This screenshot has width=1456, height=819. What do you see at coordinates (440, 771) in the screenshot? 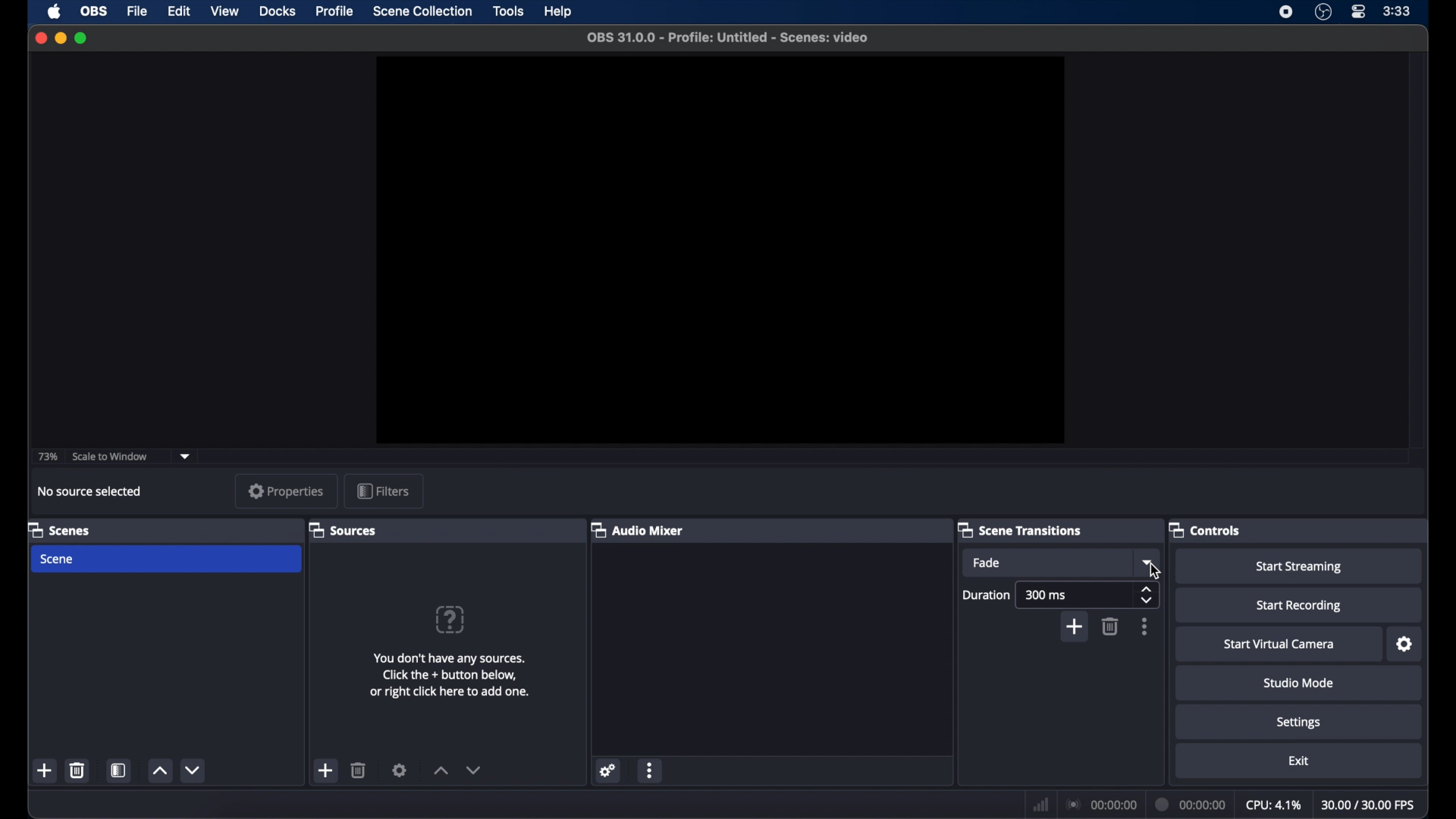
I see `increment` at bounding box center [440, 771].